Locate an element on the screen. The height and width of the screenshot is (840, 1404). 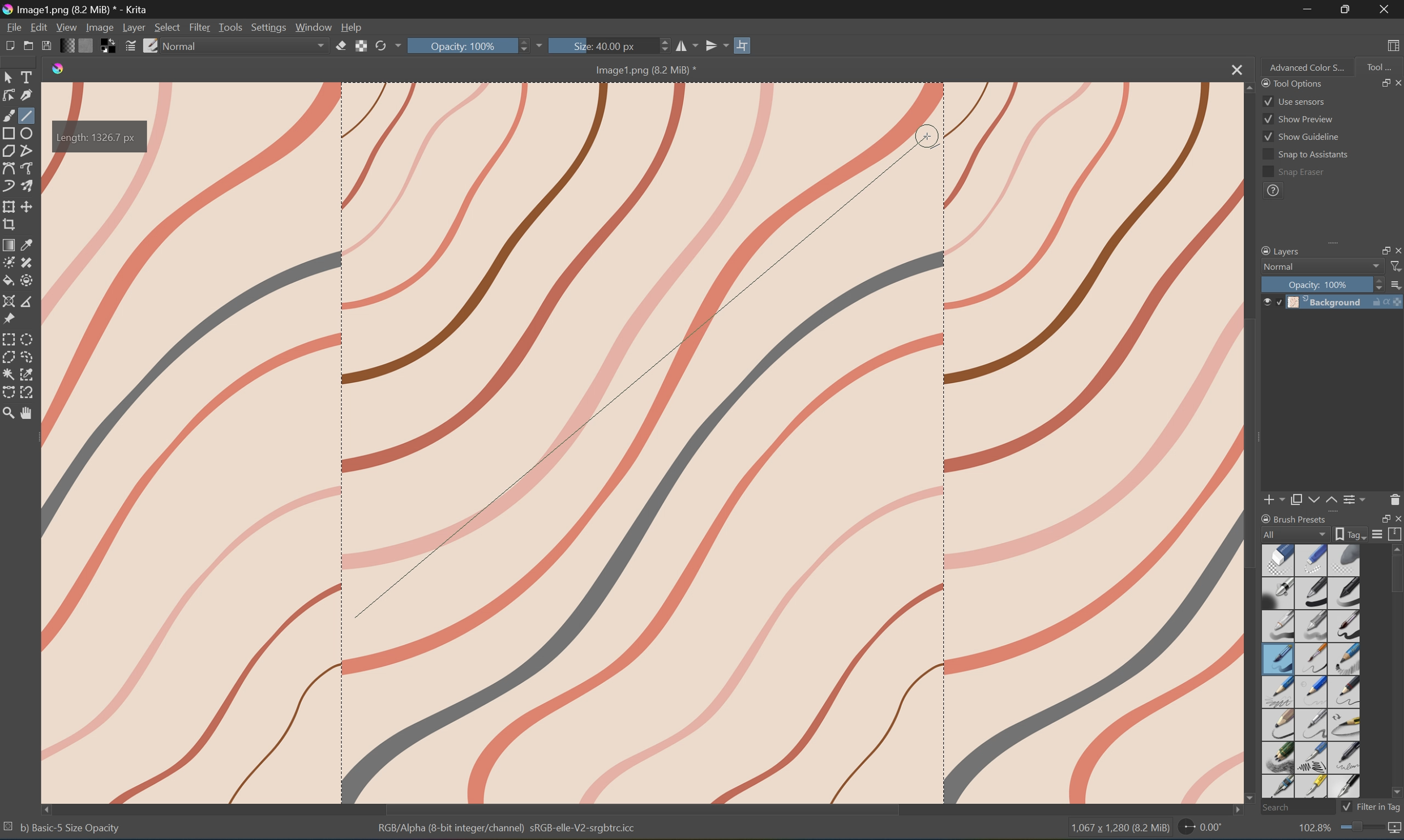
1,067 * 1,280 (3.2 MB) is located at coordinates (1118, 829).